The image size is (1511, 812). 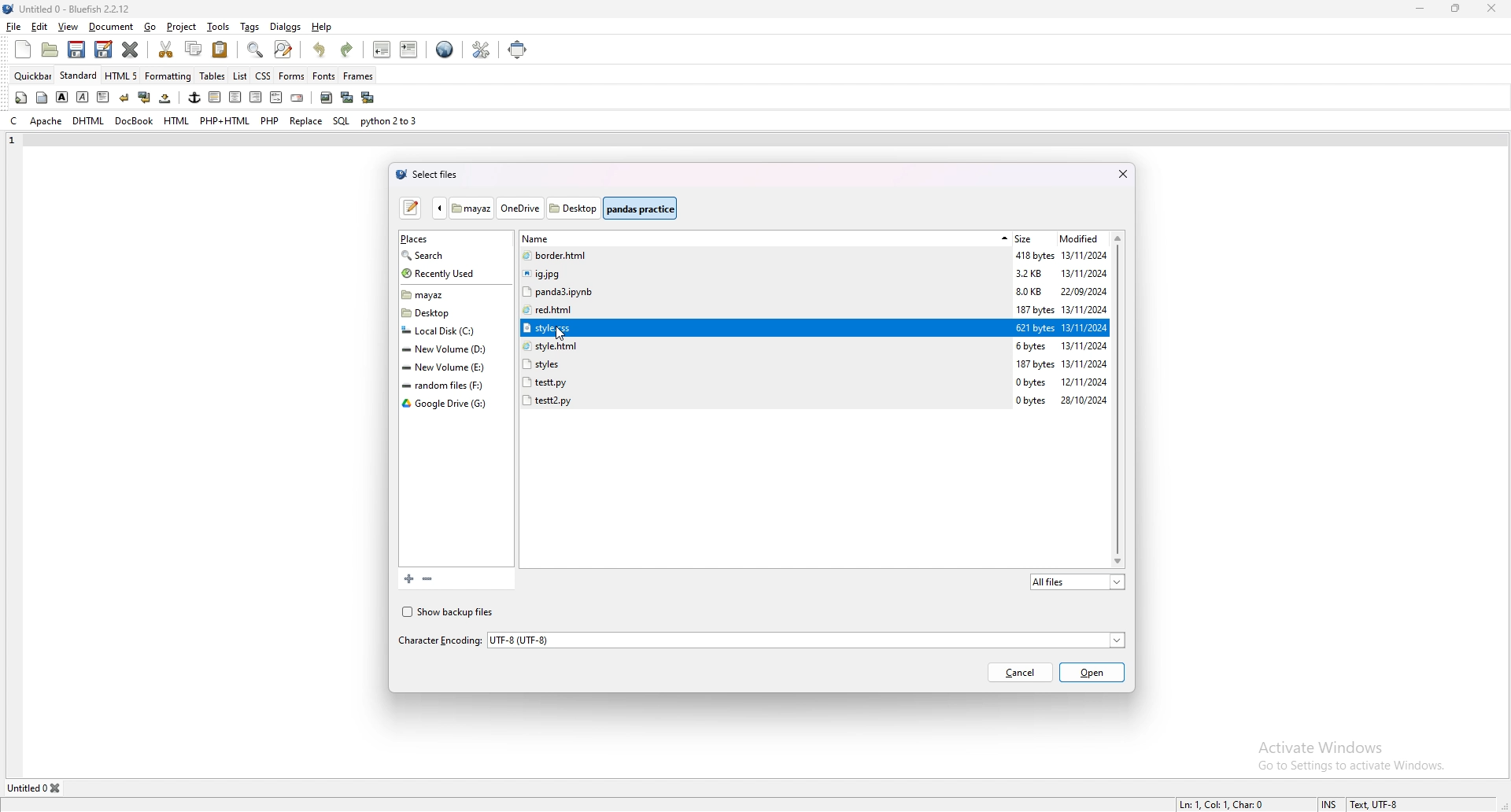 What do you see at coordinates (1034, 257) in the screenshot?
I see `418 bytes` at bounding box center [1034, 257].